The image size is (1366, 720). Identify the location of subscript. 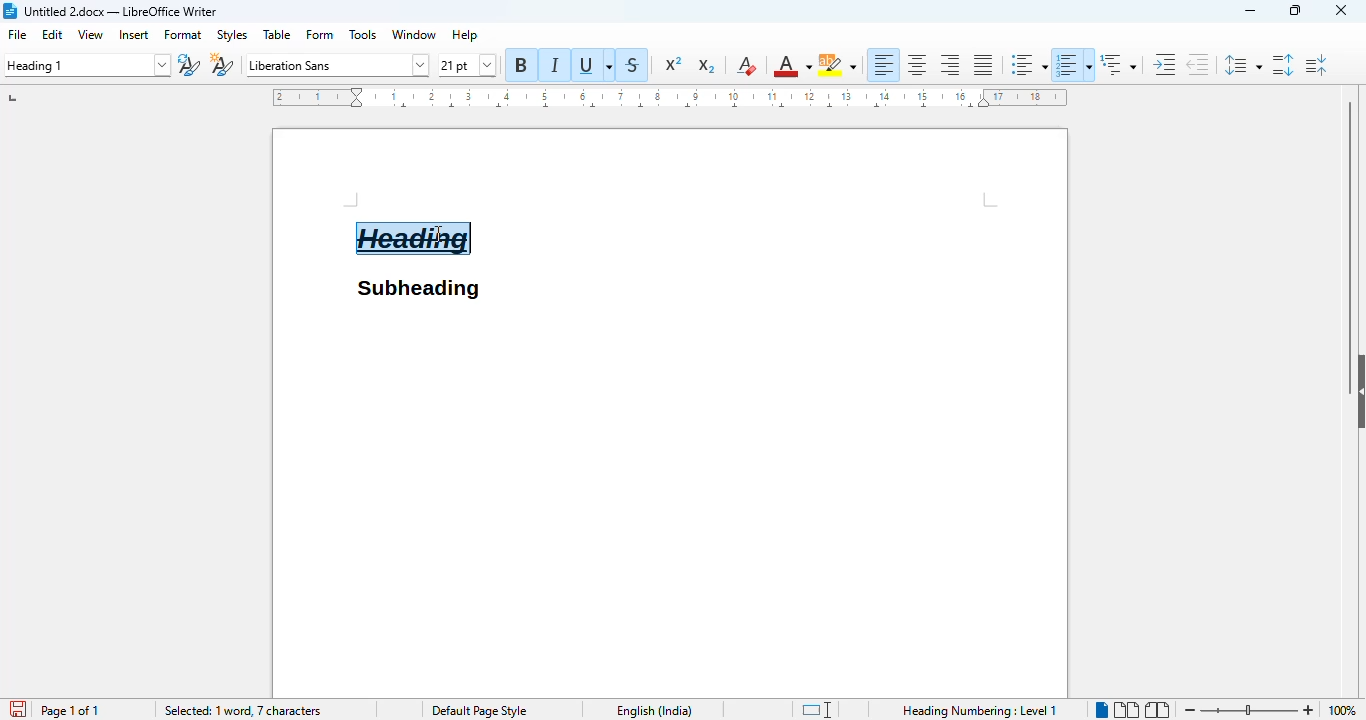
(705, 66).